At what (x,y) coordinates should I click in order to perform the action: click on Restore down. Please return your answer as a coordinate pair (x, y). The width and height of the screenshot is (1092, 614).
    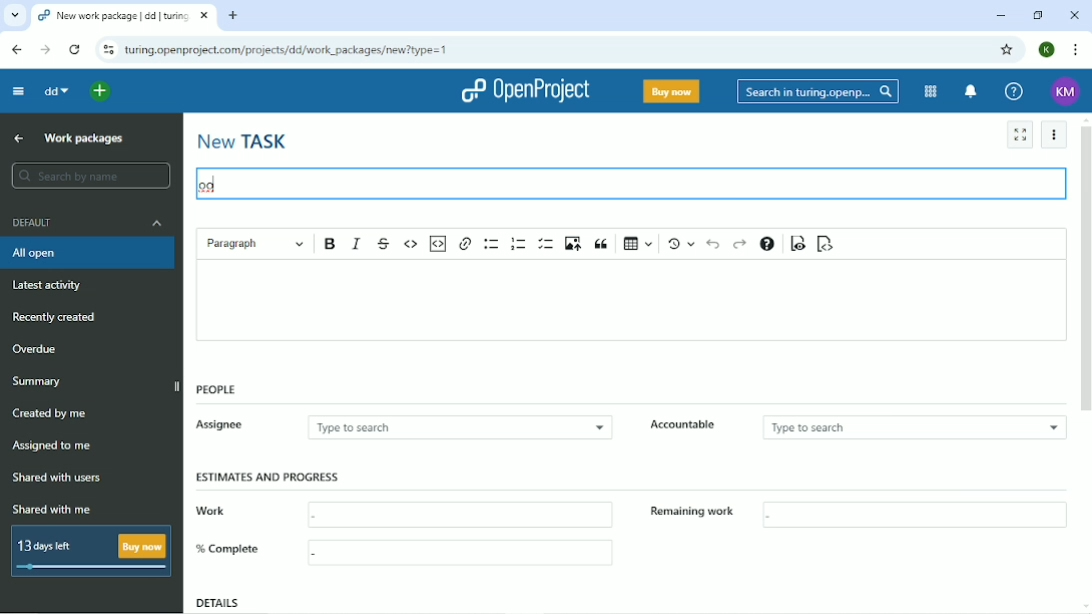
    Looking at the image, I should click on (1039, 15).